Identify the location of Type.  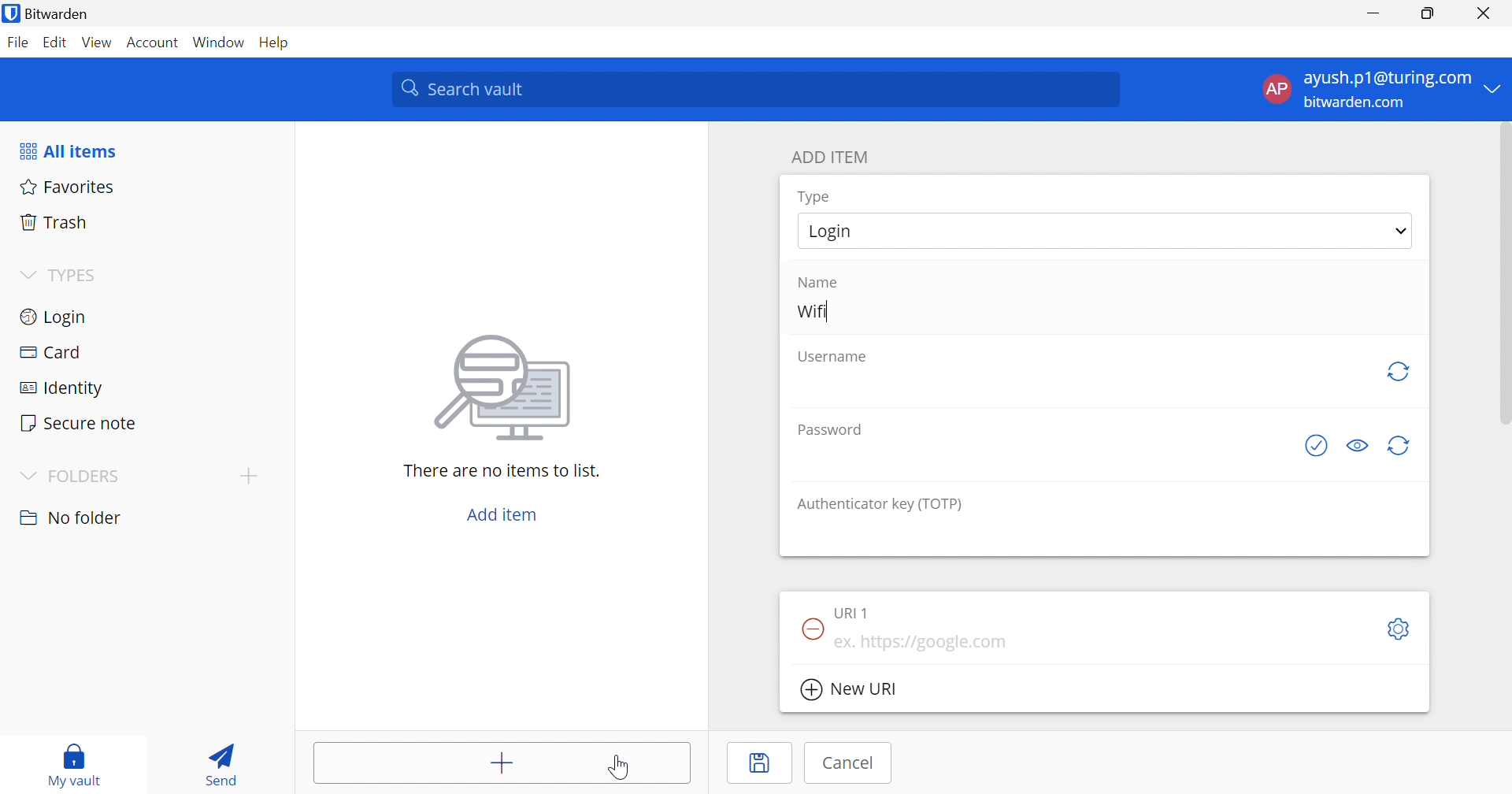
(816, 198).